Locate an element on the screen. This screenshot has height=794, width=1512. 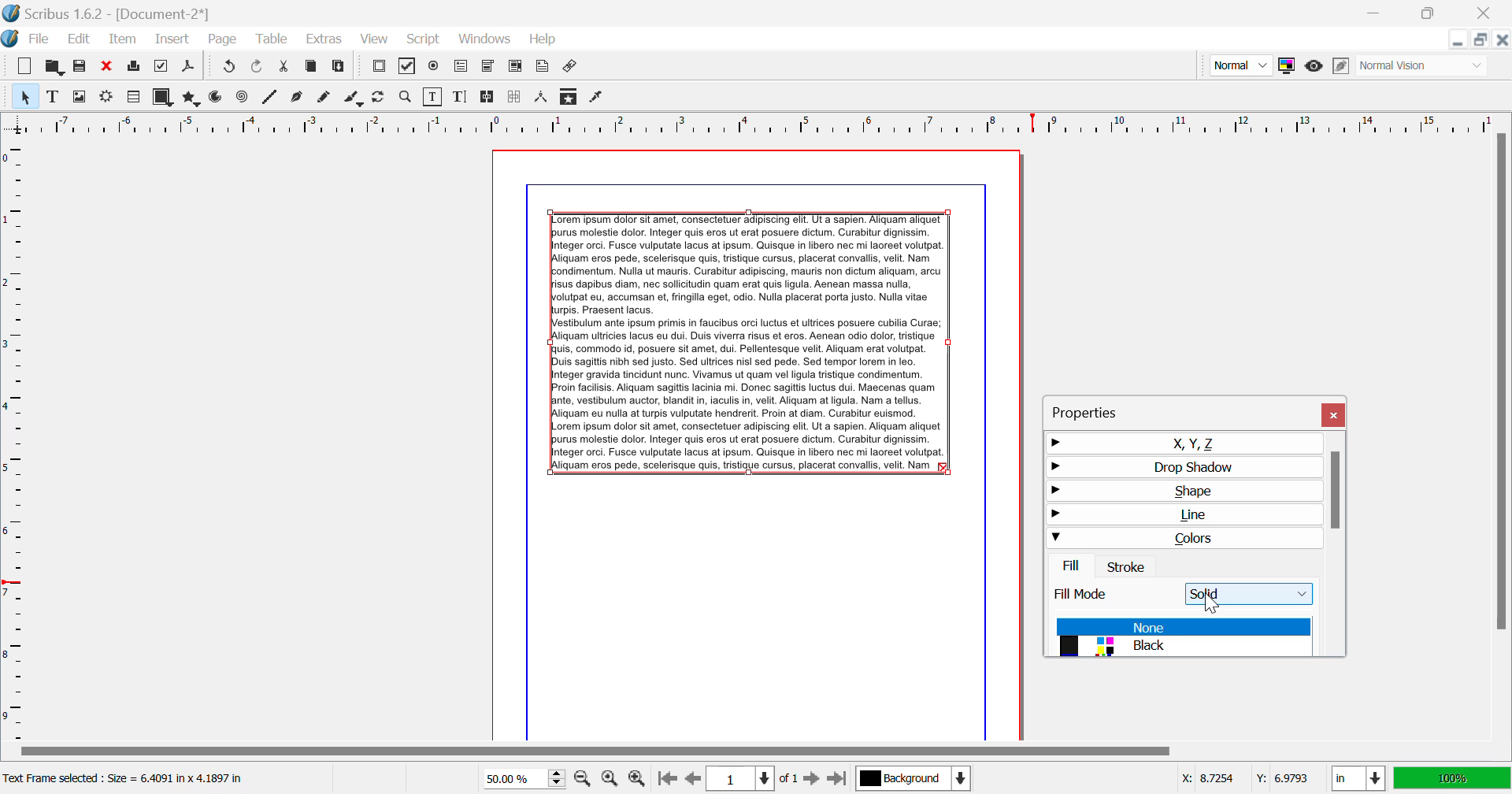
Preview Mode is located at coordinates (1240, 65).